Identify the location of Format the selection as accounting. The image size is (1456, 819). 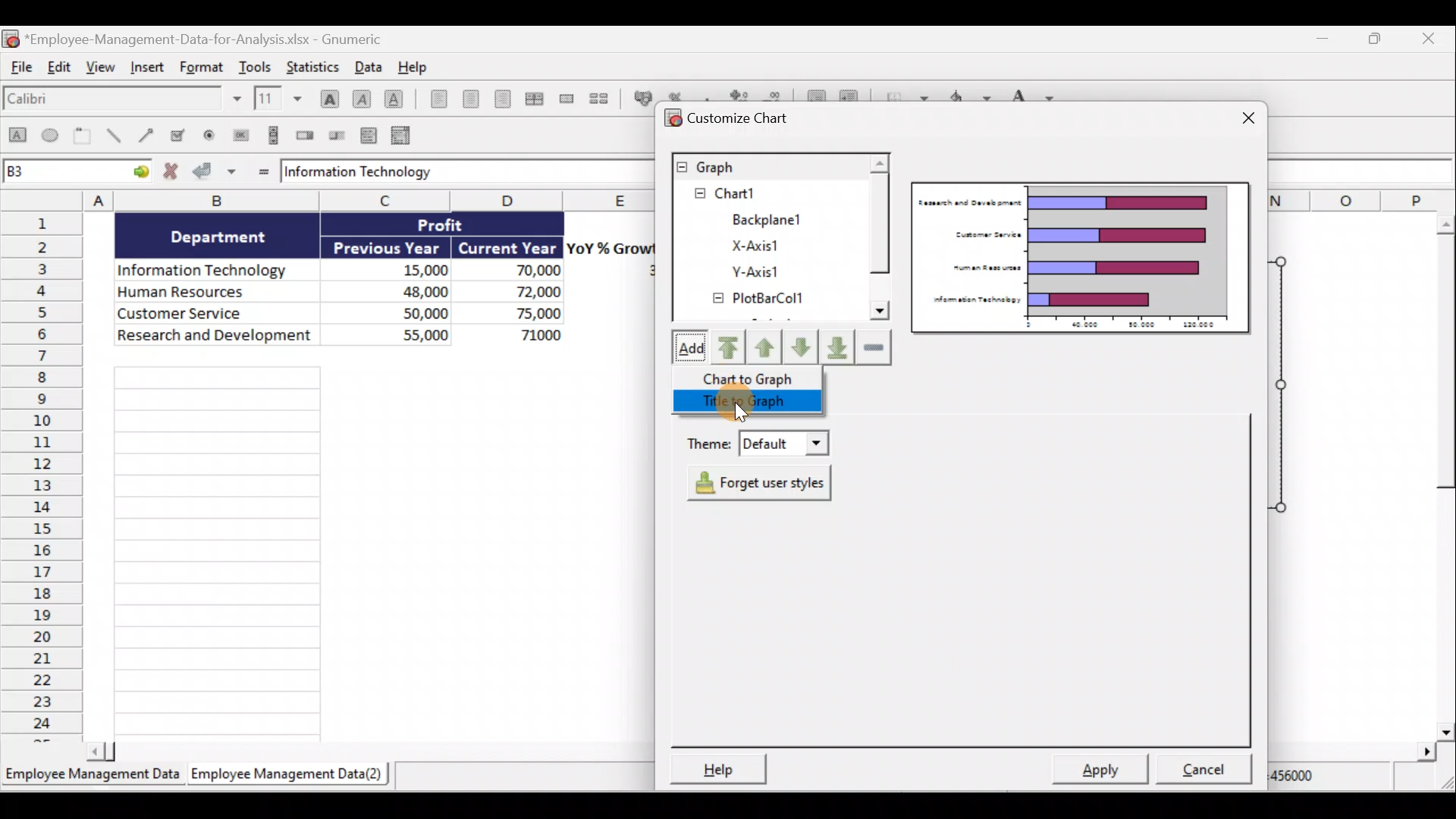
(639, 96).